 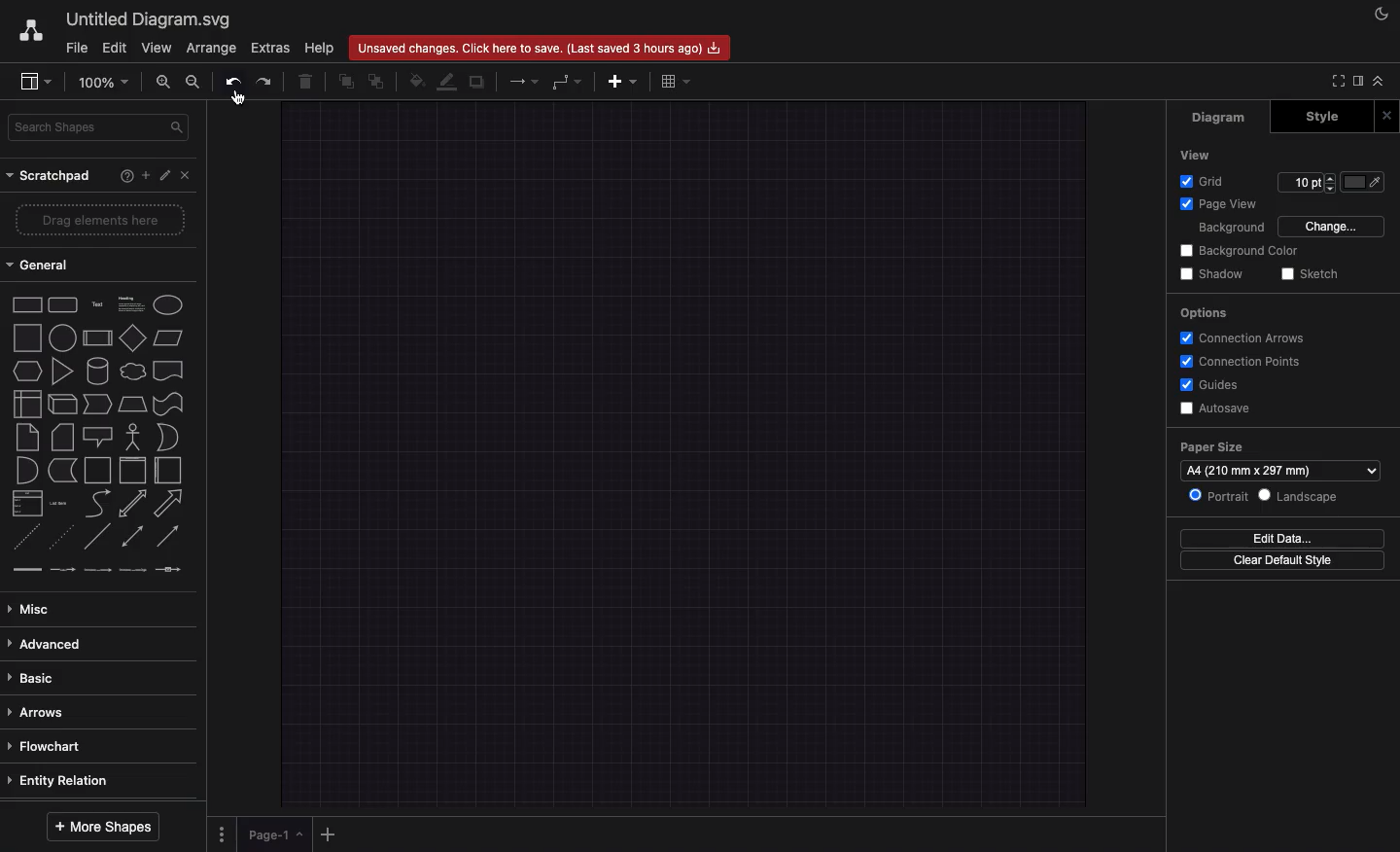 What do you see at coordinates (346, 79) in the screenshot?
I see `To front` at bounding box center [346, 79].